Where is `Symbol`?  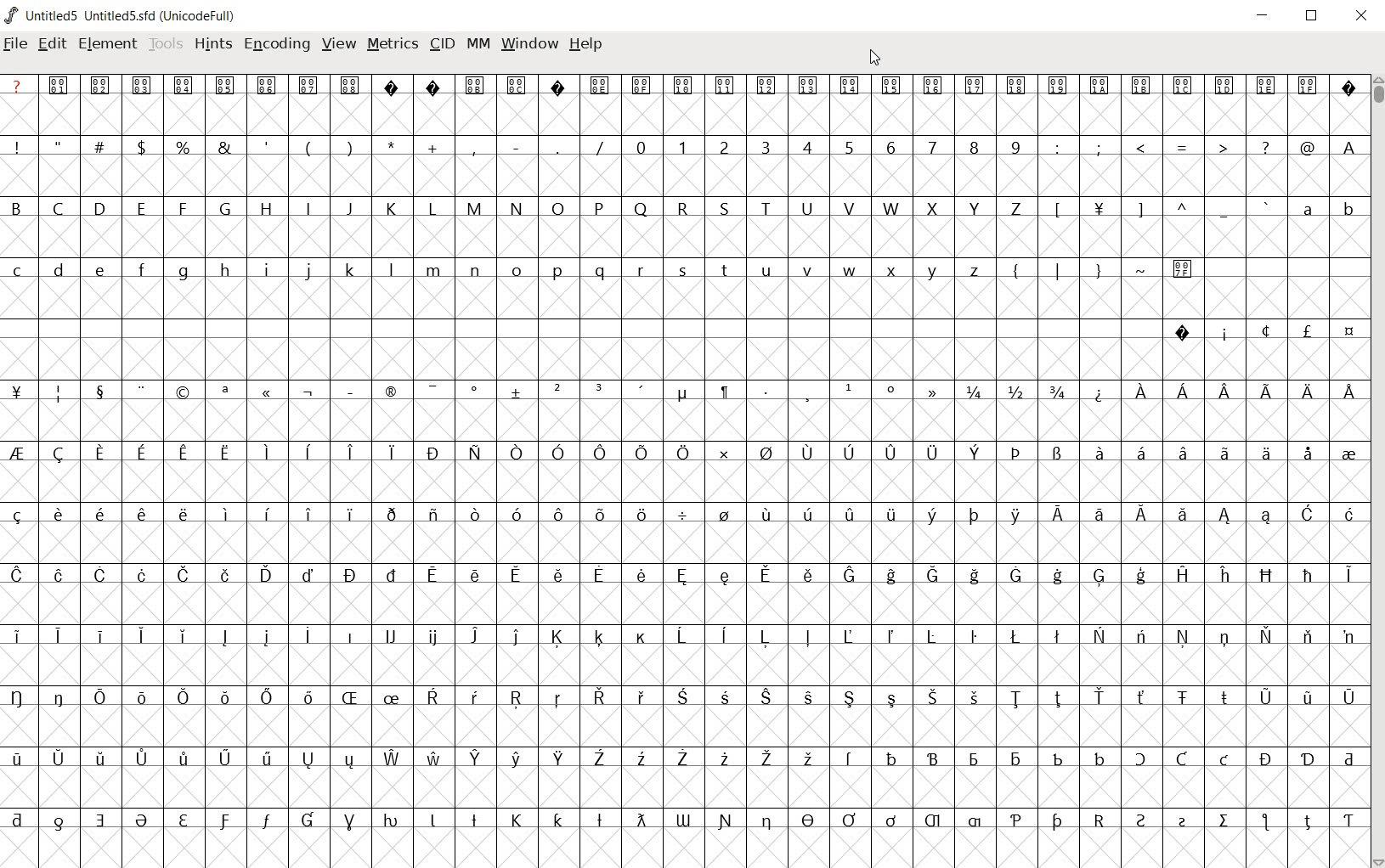 Symbol is located at coordinates (1183, 332).